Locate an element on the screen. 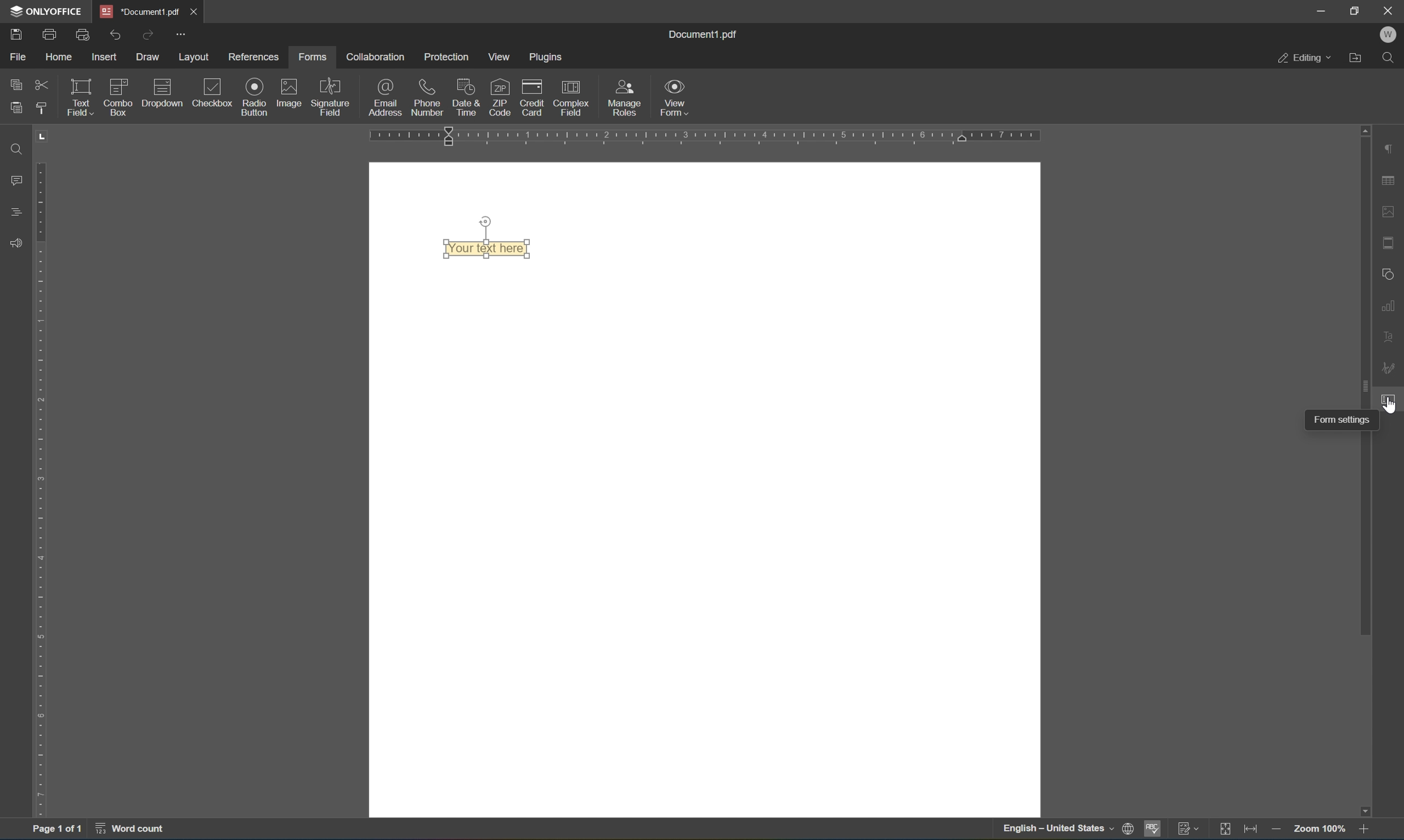 This screenshot has width=1404, height=840. document1.pdf is located at coordinates (702, 36).